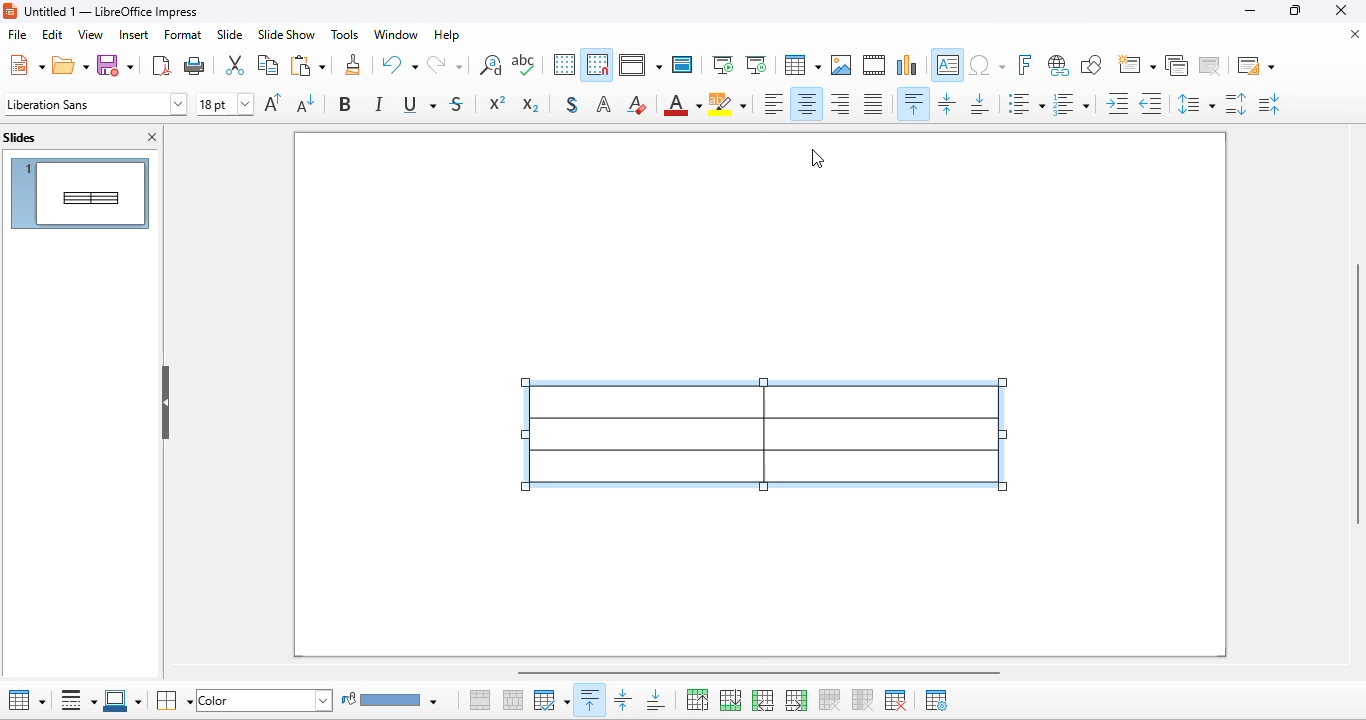 The height and width of the screenshot is (720, 1366). I want to click on clear direct formatting, so click(636, 104).